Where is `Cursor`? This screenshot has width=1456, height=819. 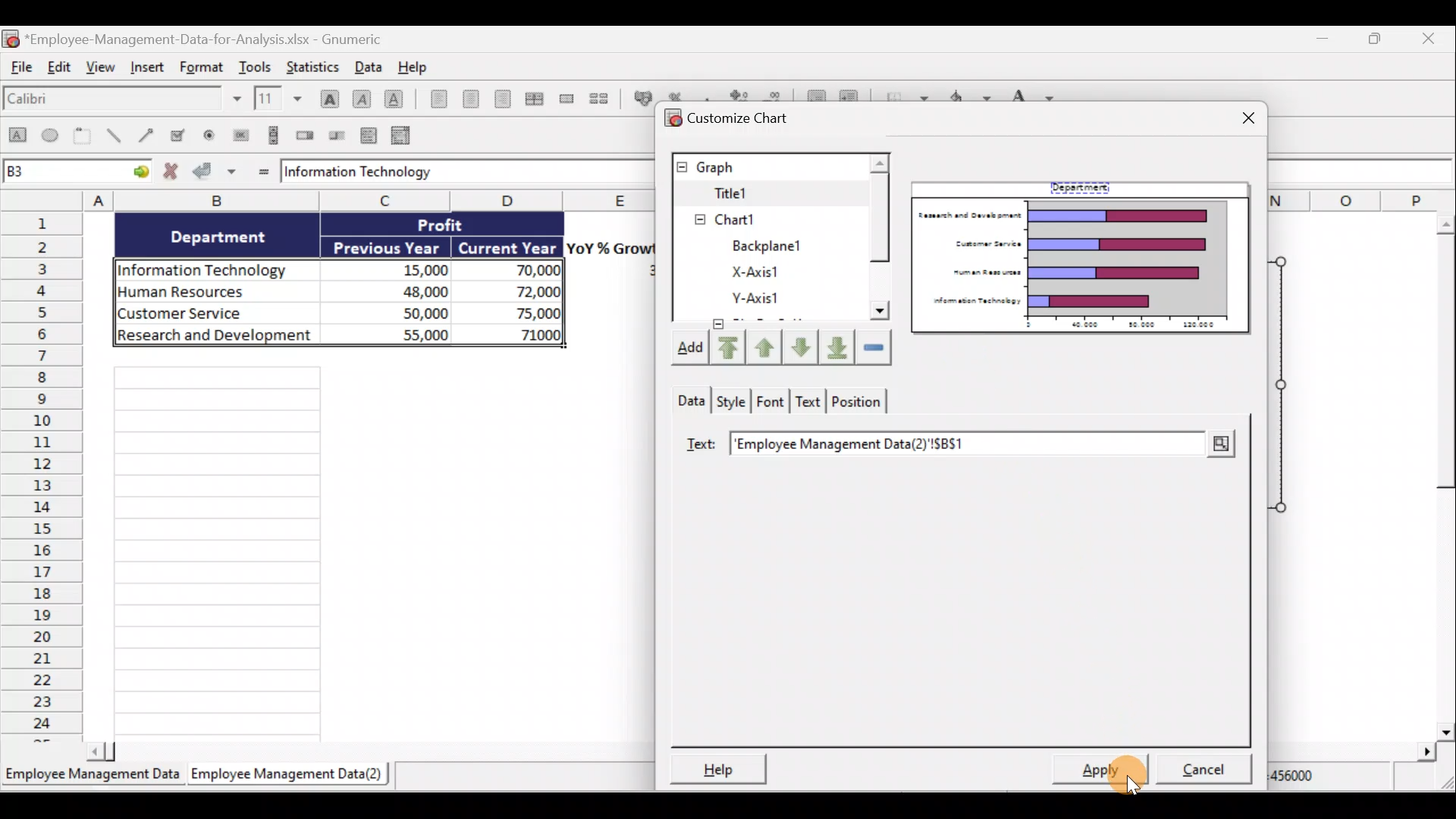
Cursor is located at coordinates (1127, 770).